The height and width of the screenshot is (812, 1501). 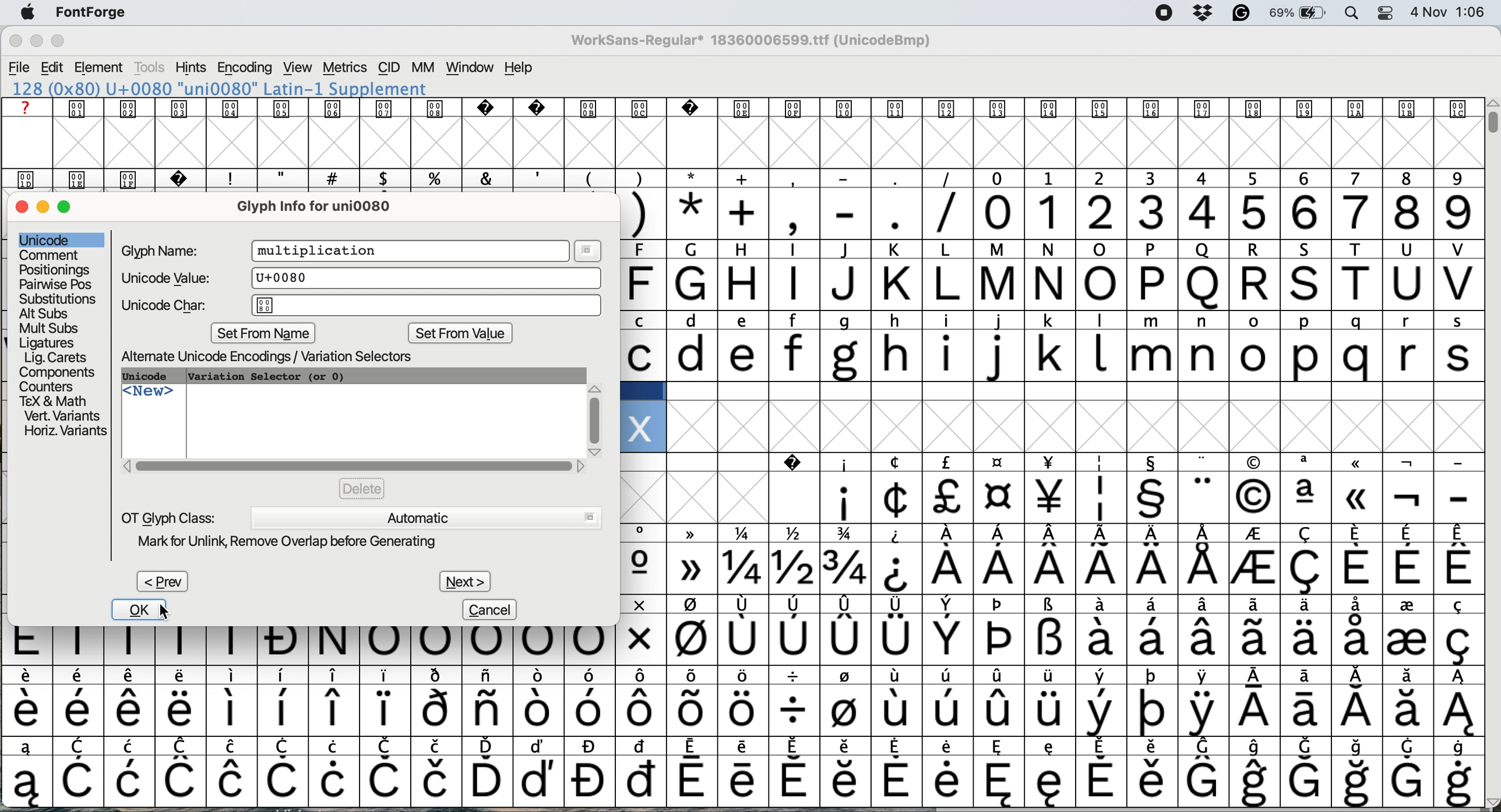 I want to click on counters, so click(x=50, y=385).